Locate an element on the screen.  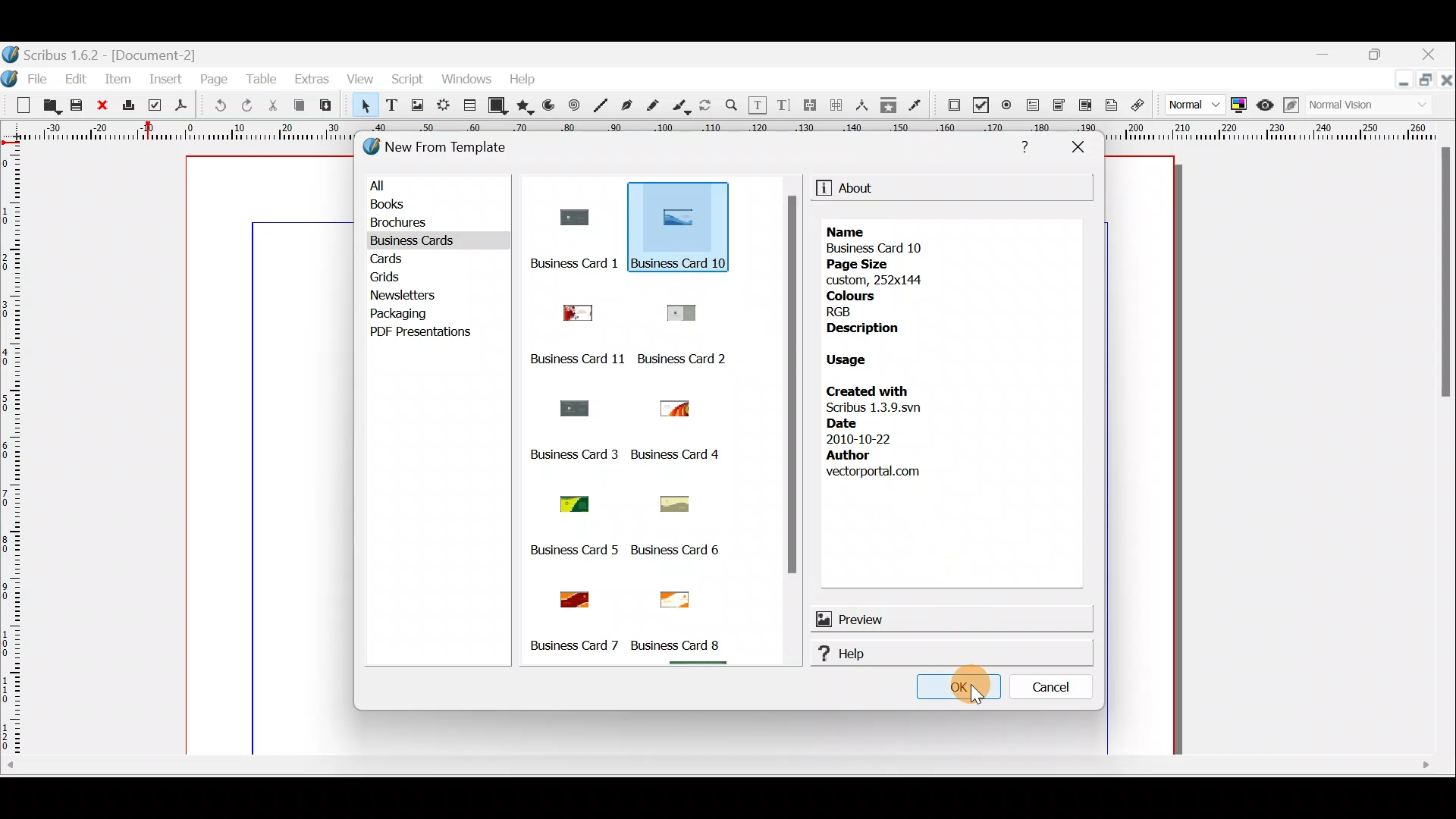
close is located at coordinates (1447, 80).